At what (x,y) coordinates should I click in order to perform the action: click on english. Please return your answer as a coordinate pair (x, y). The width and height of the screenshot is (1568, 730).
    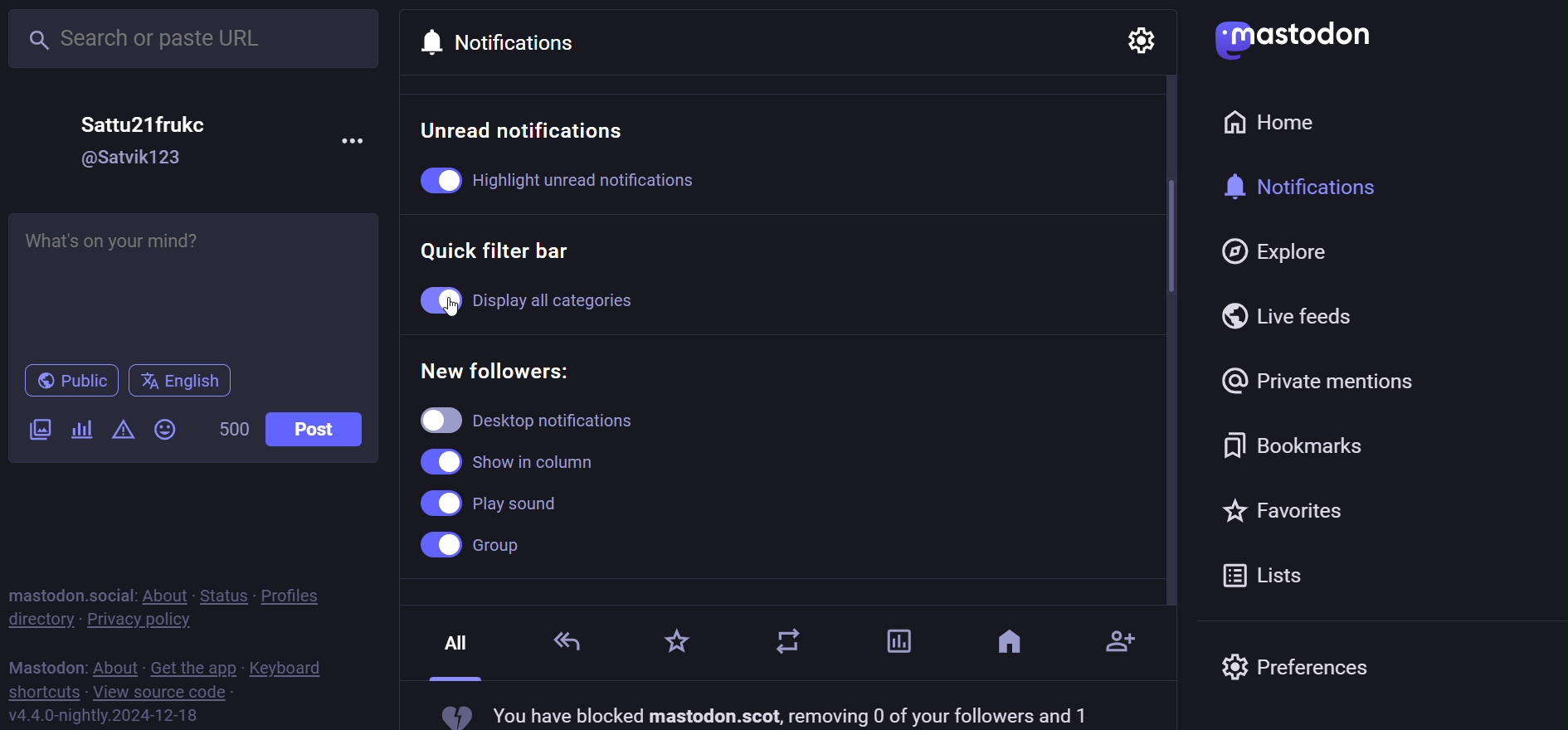
    Looking at the image, I should click on (179, 380).